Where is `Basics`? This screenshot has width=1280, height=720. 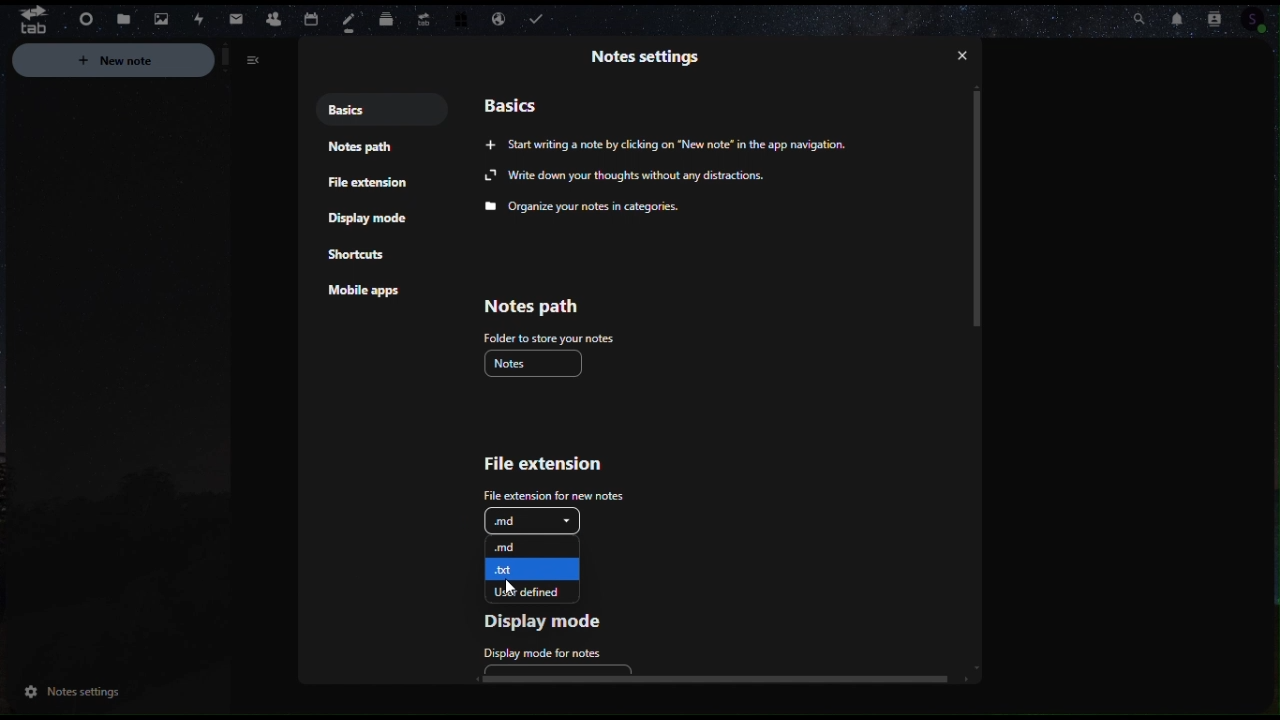 Basics is located at coordinates (368, 110).